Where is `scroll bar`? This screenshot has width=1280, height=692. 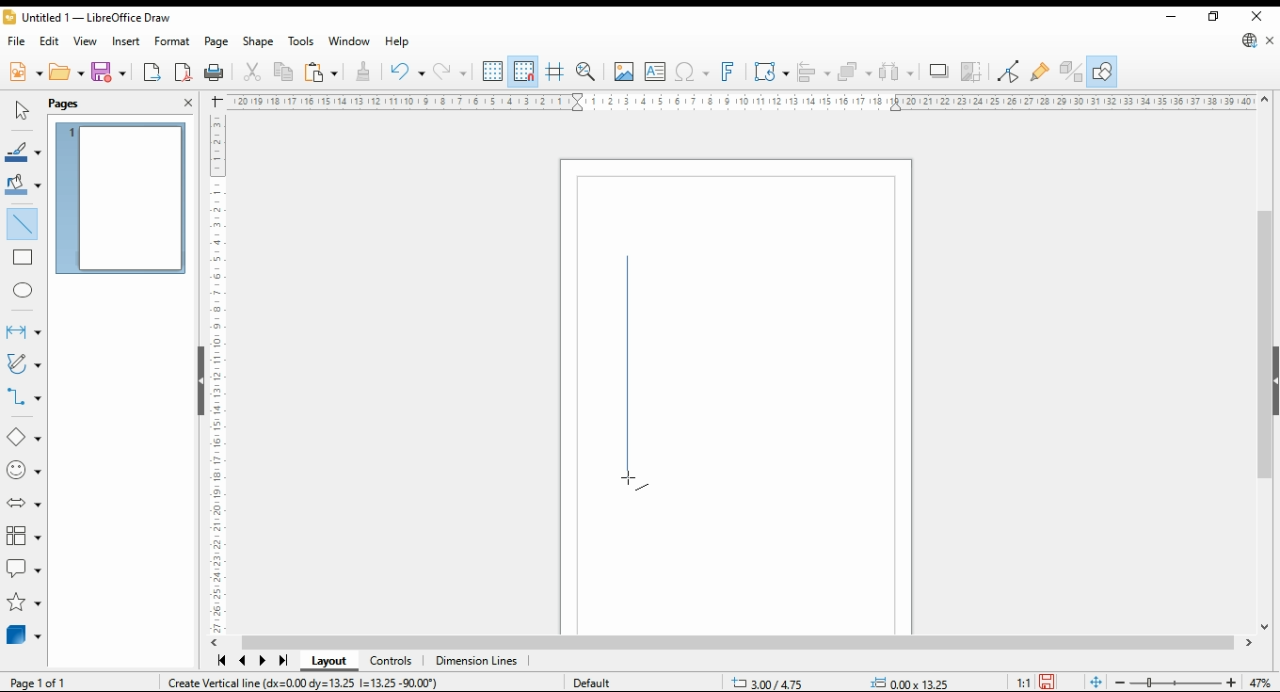
scroll bar is located at coordinates (738, 642).